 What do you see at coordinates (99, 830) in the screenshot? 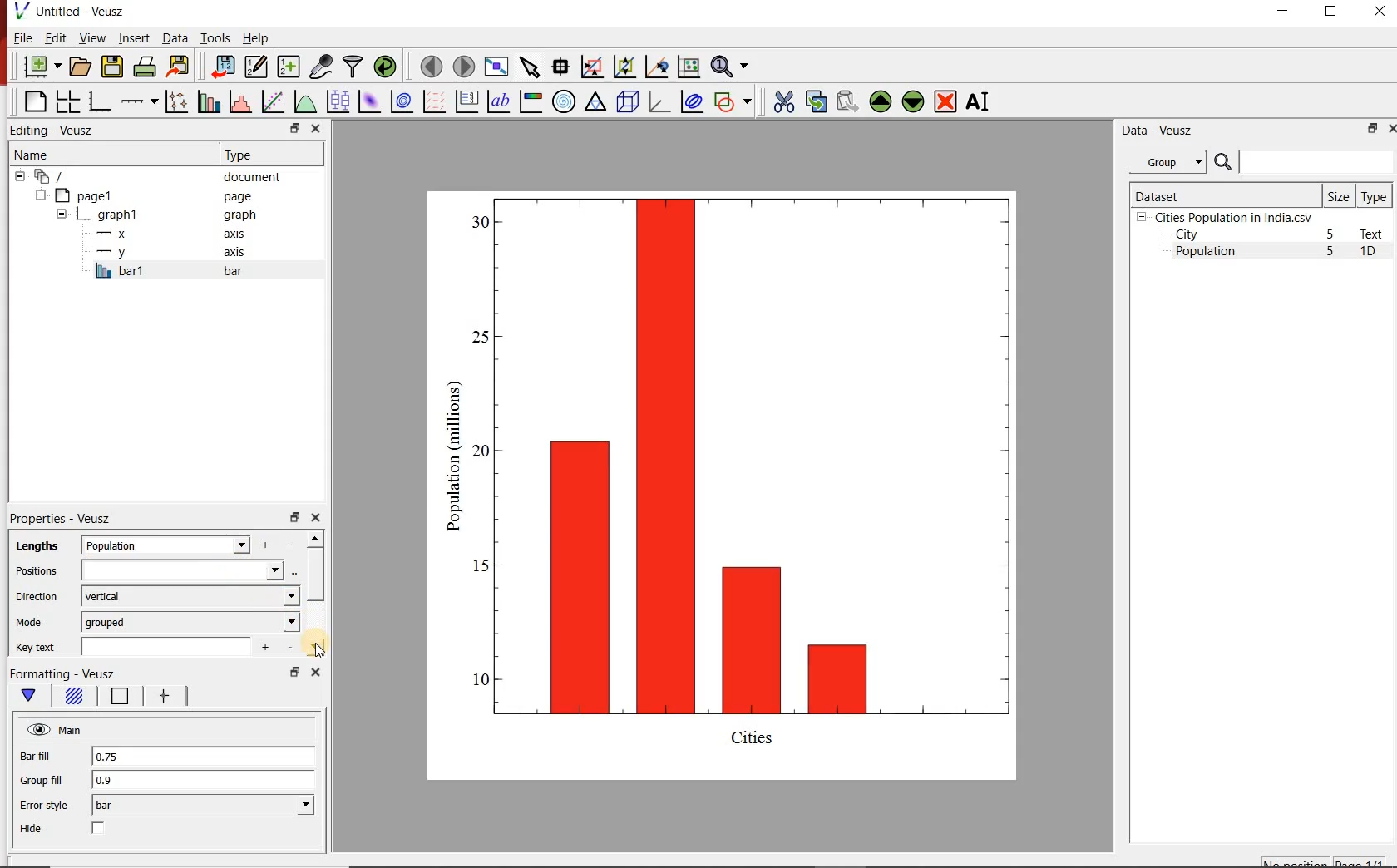
I see `check/uncheck` at bounding box center [99, 830].